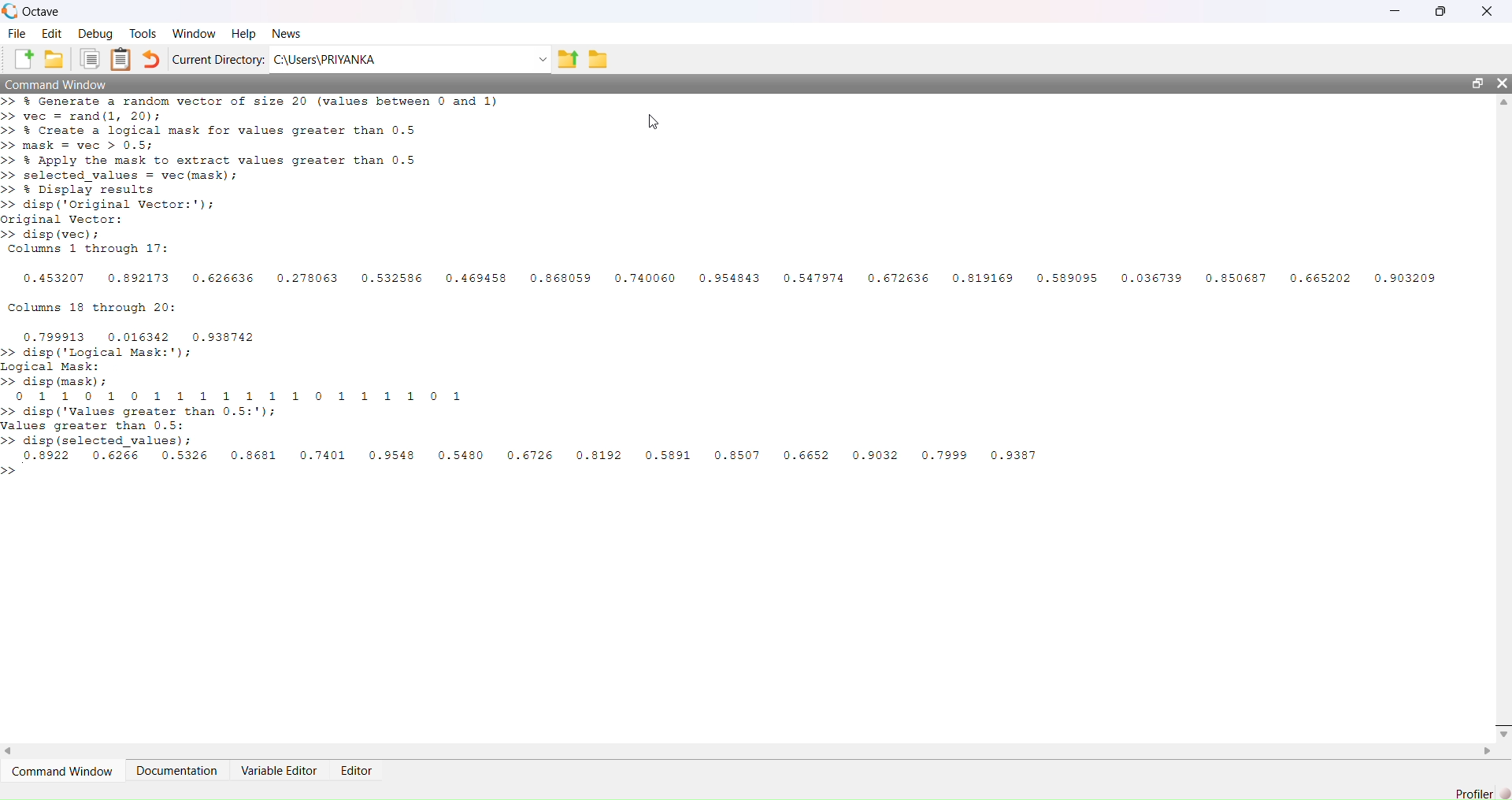 This screenshot has height=800, width=1512. I want to click on Cursor, so click(653, 124).